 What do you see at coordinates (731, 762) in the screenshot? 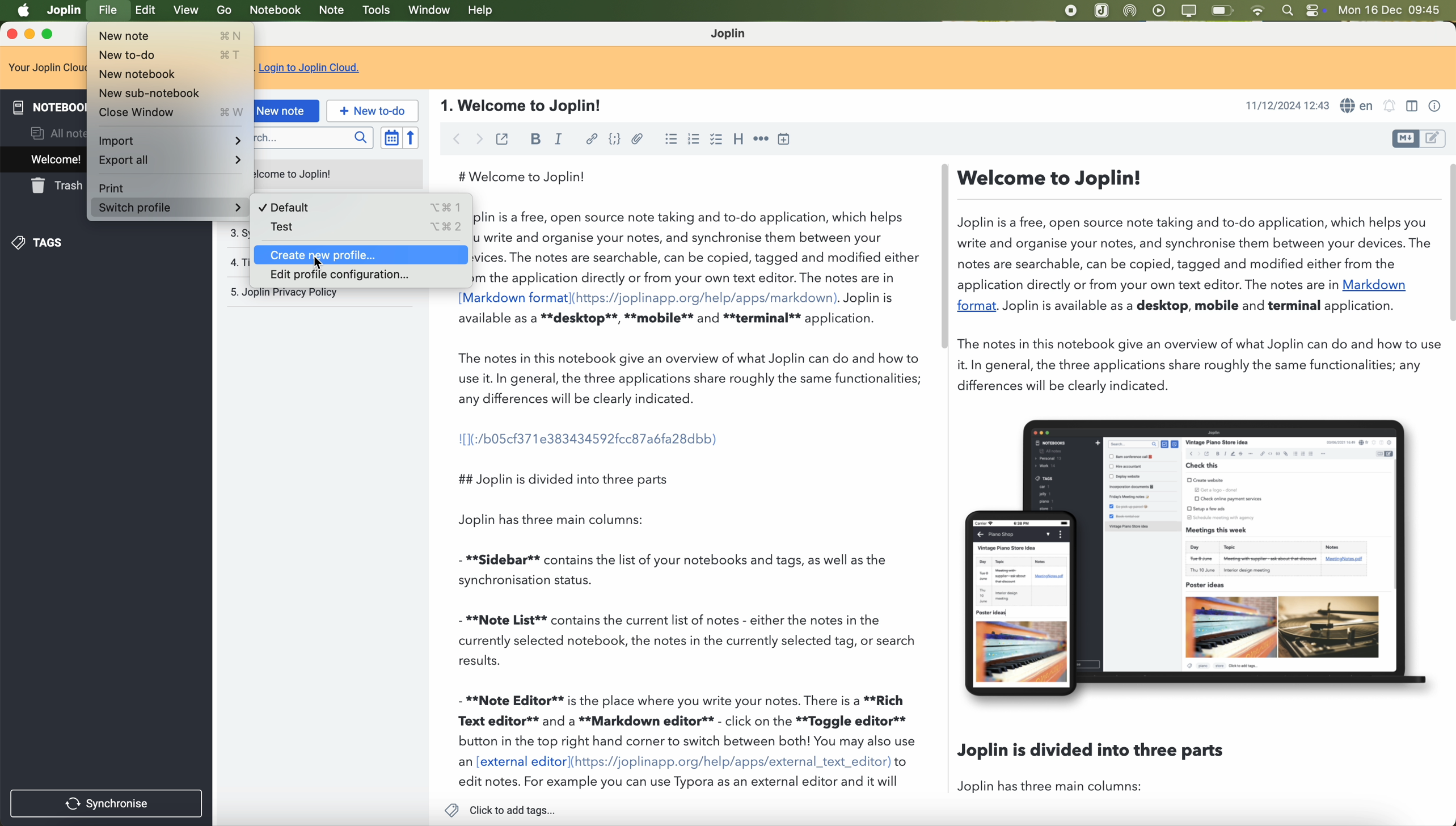
I see `(https://joplinapp.org/help/apps/external_text_editor)` at bounding box center [731, 762].